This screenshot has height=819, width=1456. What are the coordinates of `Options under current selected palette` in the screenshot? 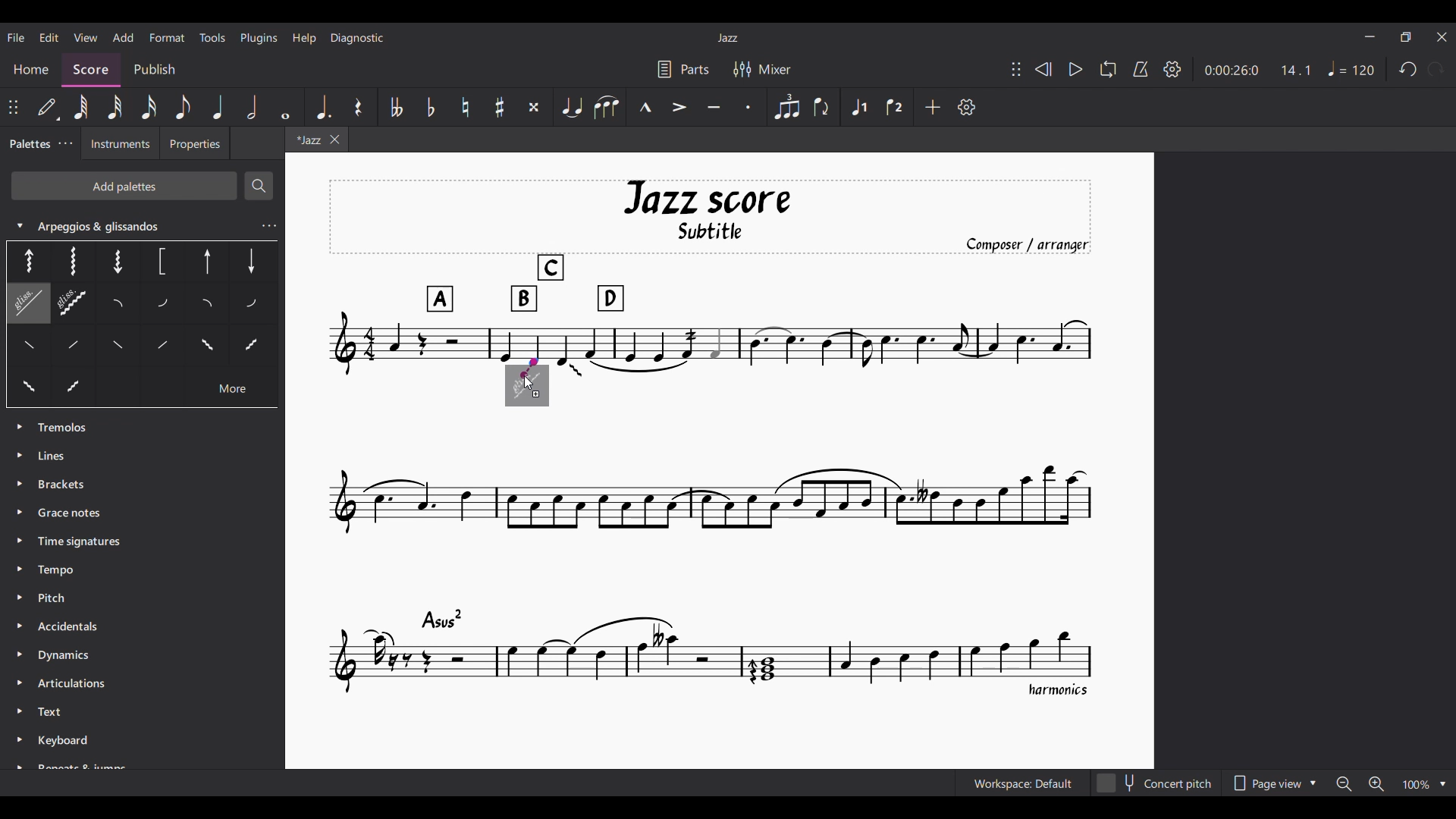 It's located at (24, 260).